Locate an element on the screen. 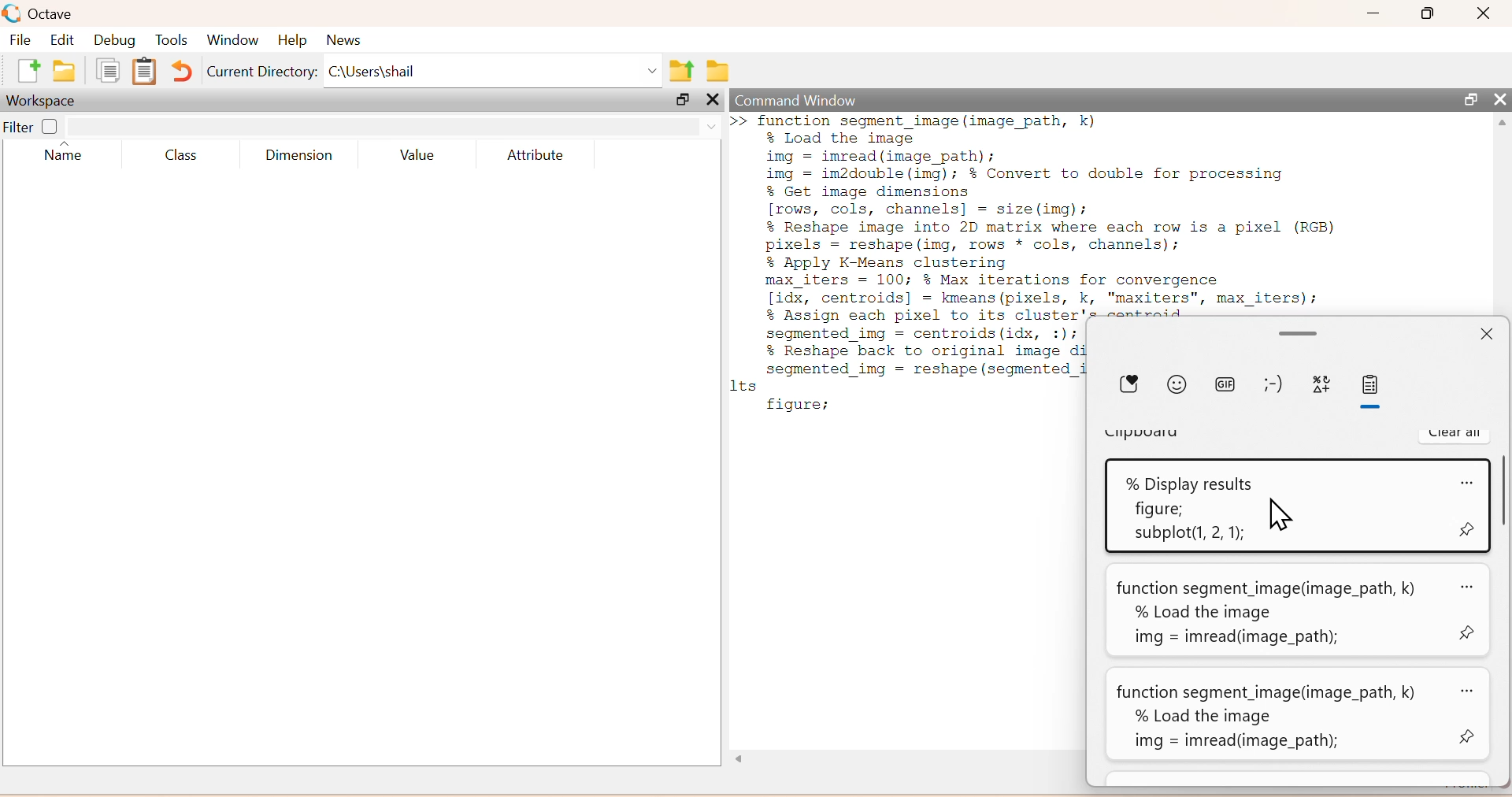 The image size is (1512, 797). emoji is located at coordinates (1280, 383).